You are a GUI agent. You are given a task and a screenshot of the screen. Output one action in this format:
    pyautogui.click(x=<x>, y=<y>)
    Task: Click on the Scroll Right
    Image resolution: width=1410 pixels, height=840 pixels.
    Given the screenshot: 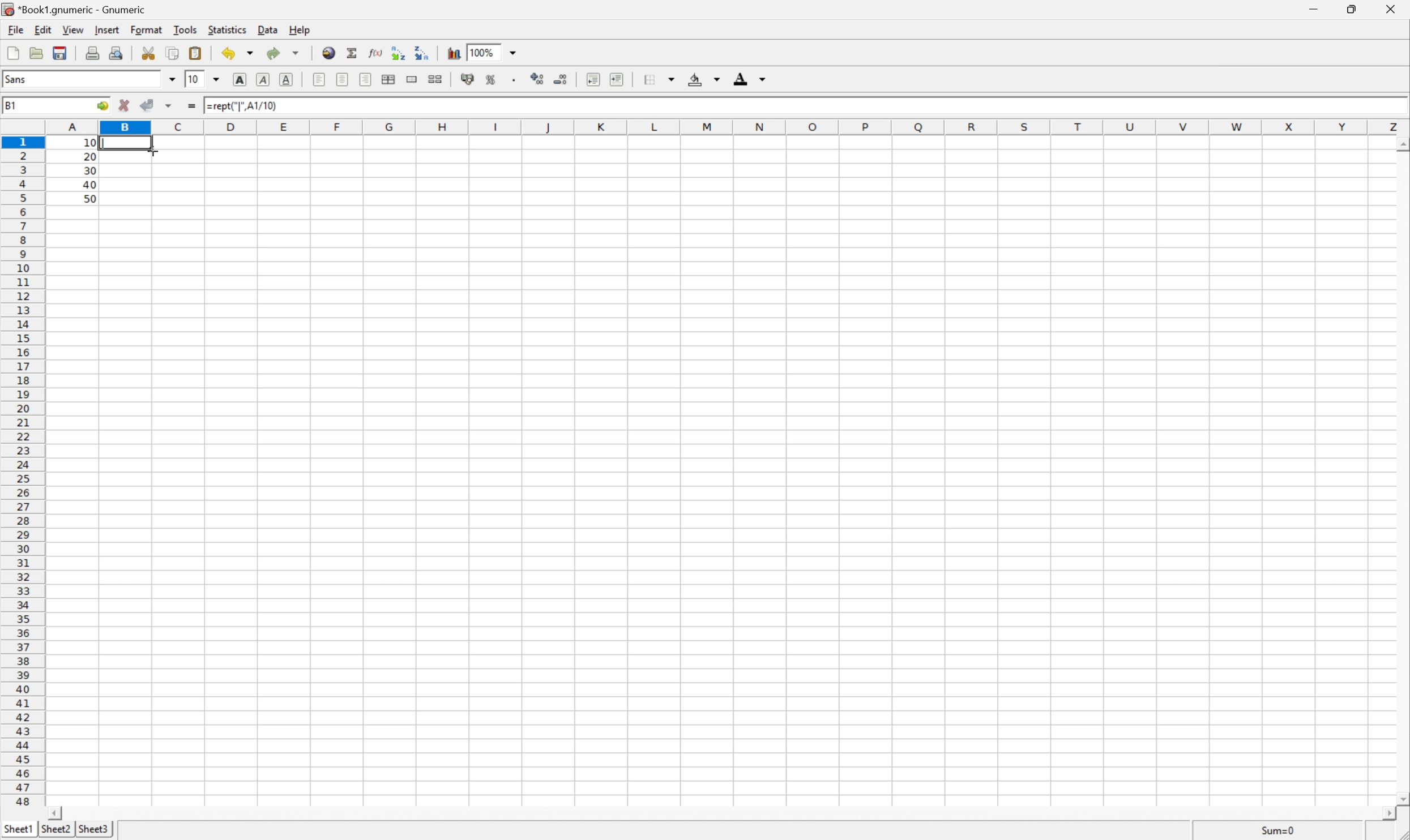 What is the action you would take?
    pyautogui.click(x=1387, y=813)
    